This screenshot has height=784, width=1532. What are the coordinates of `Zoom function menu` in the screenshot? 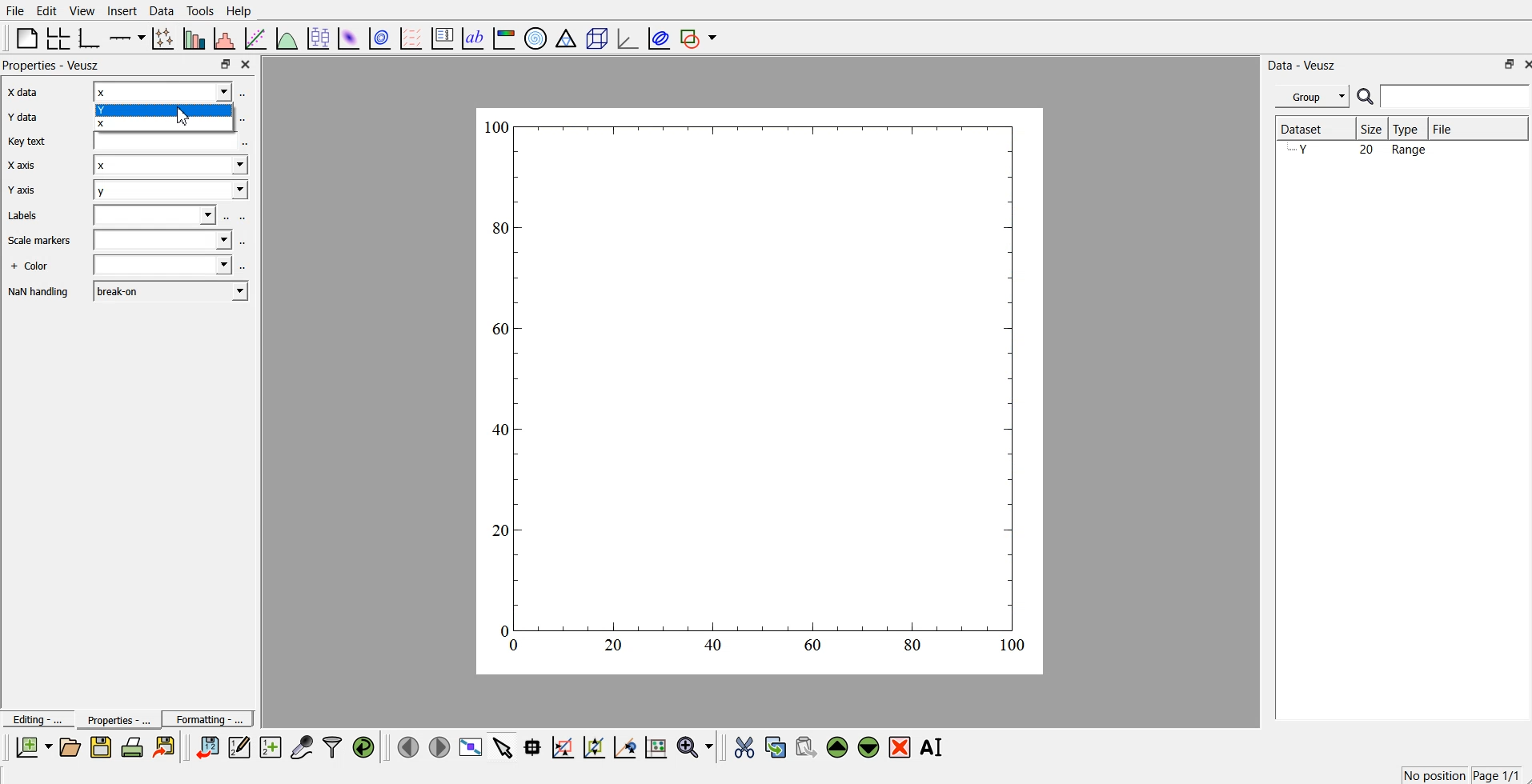 It's located at (696, 746).